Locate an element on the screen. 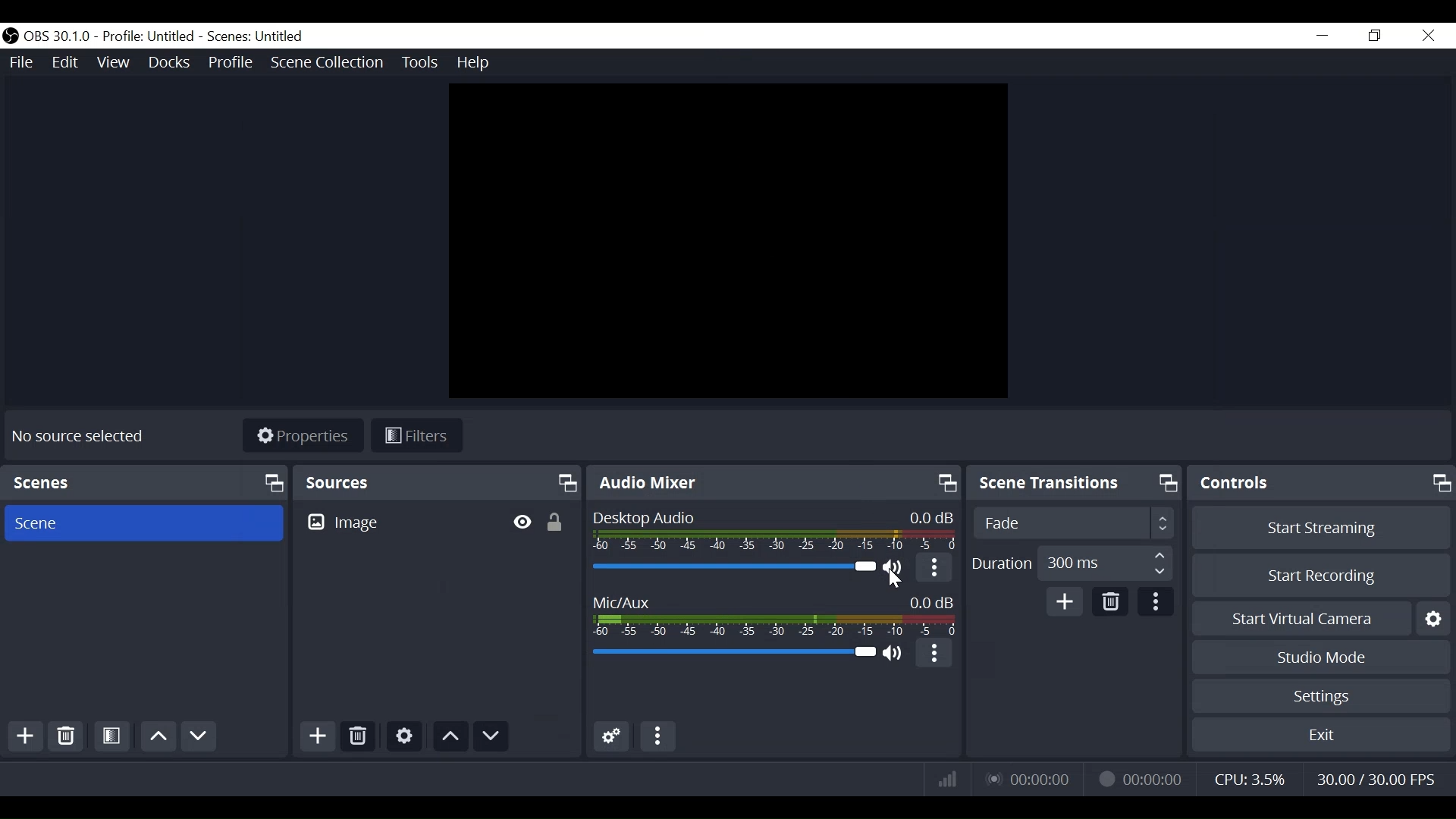 The image size is (1456, 819). Start Streaming is located at coordinates (1321, 527).